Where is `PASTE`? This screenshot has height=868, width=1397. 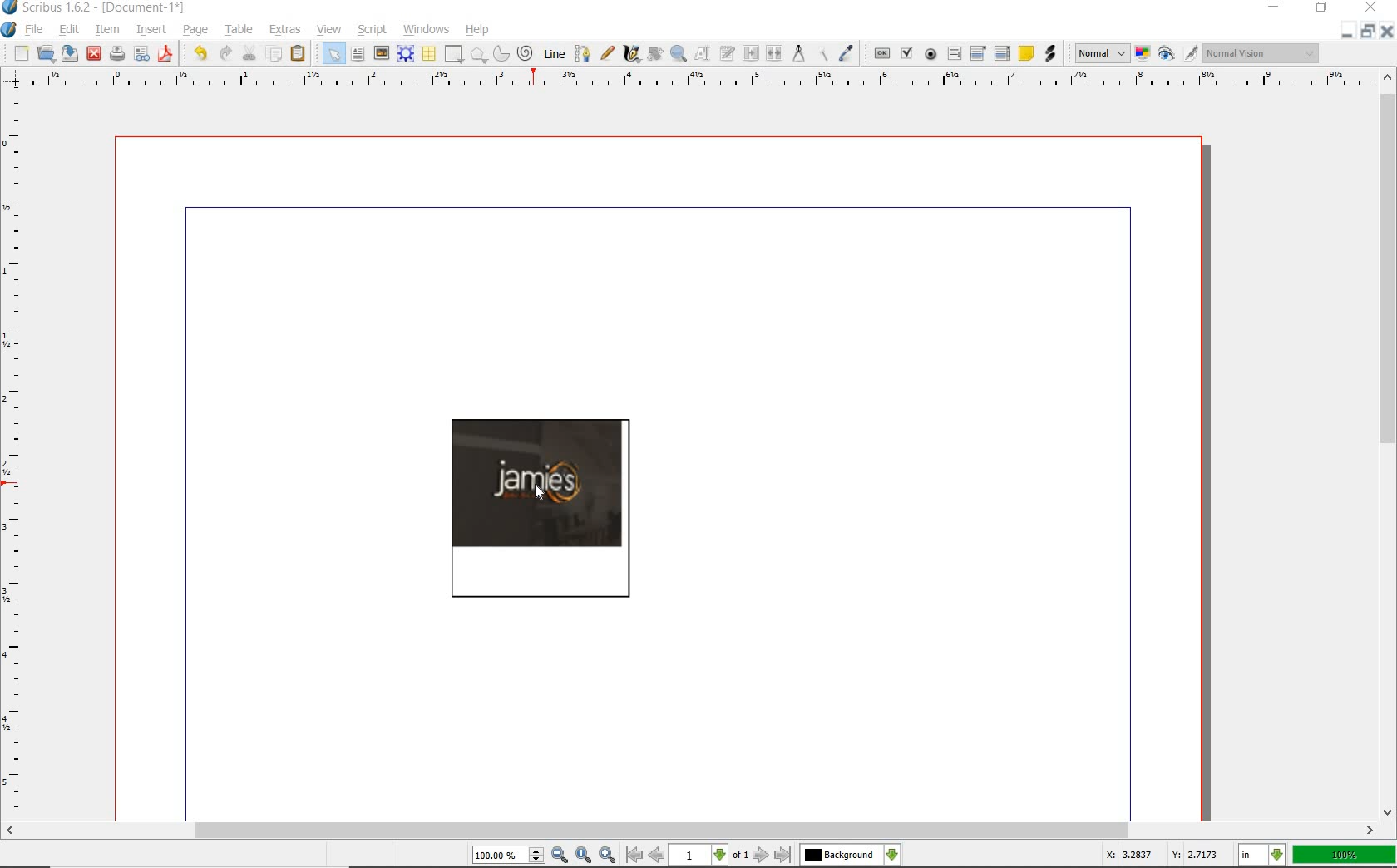
PASTE is located at coordinates (301, 53).